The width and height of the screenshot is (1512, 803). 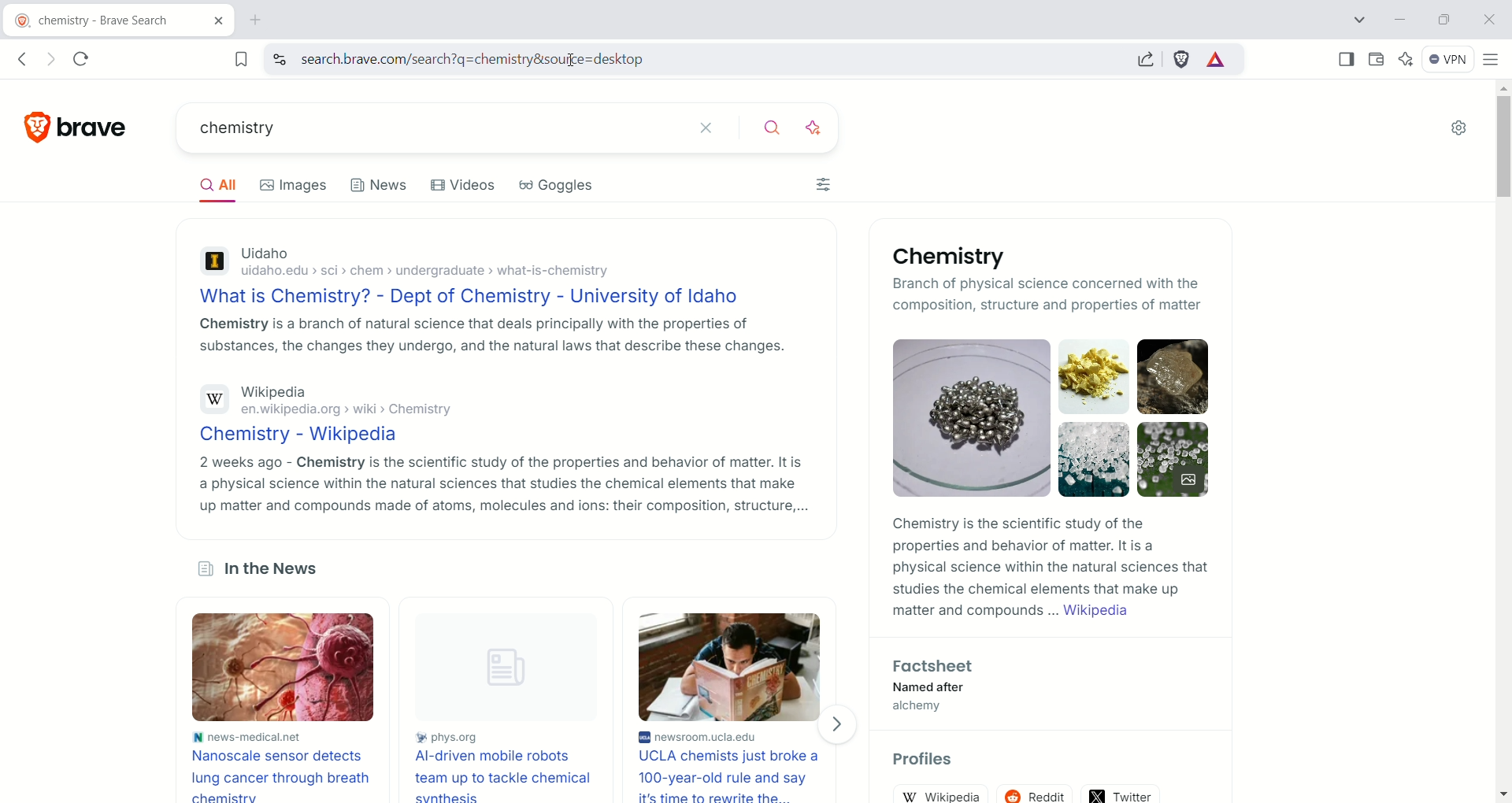 I want to click on Branch of physical science concerned with the composition, structure and properties of matter., so click(x=999, y=293).